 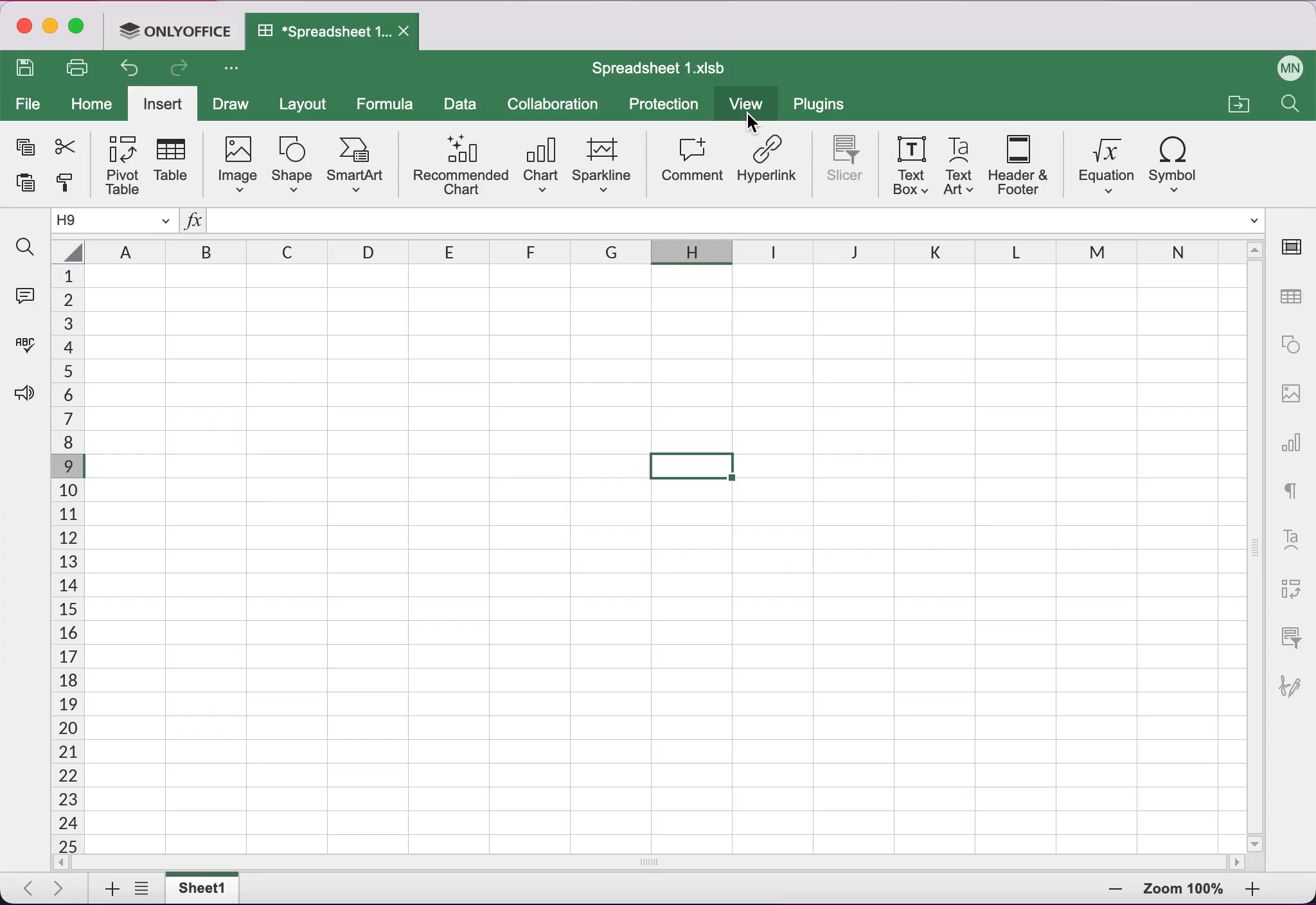 I want to click on add tab, so click(x=107, y=890).